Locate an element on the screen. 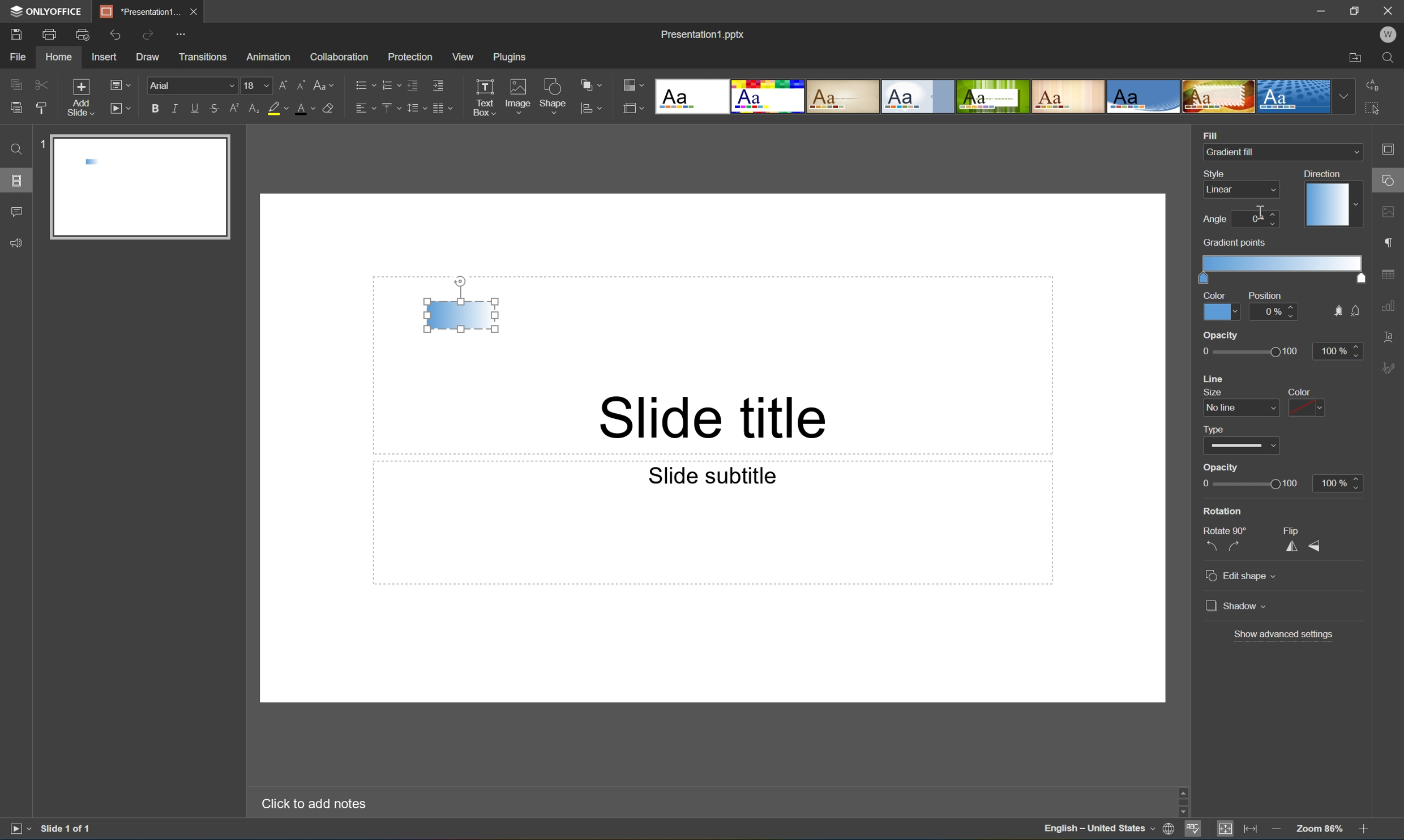  Image is located at coordinates (519, 98).